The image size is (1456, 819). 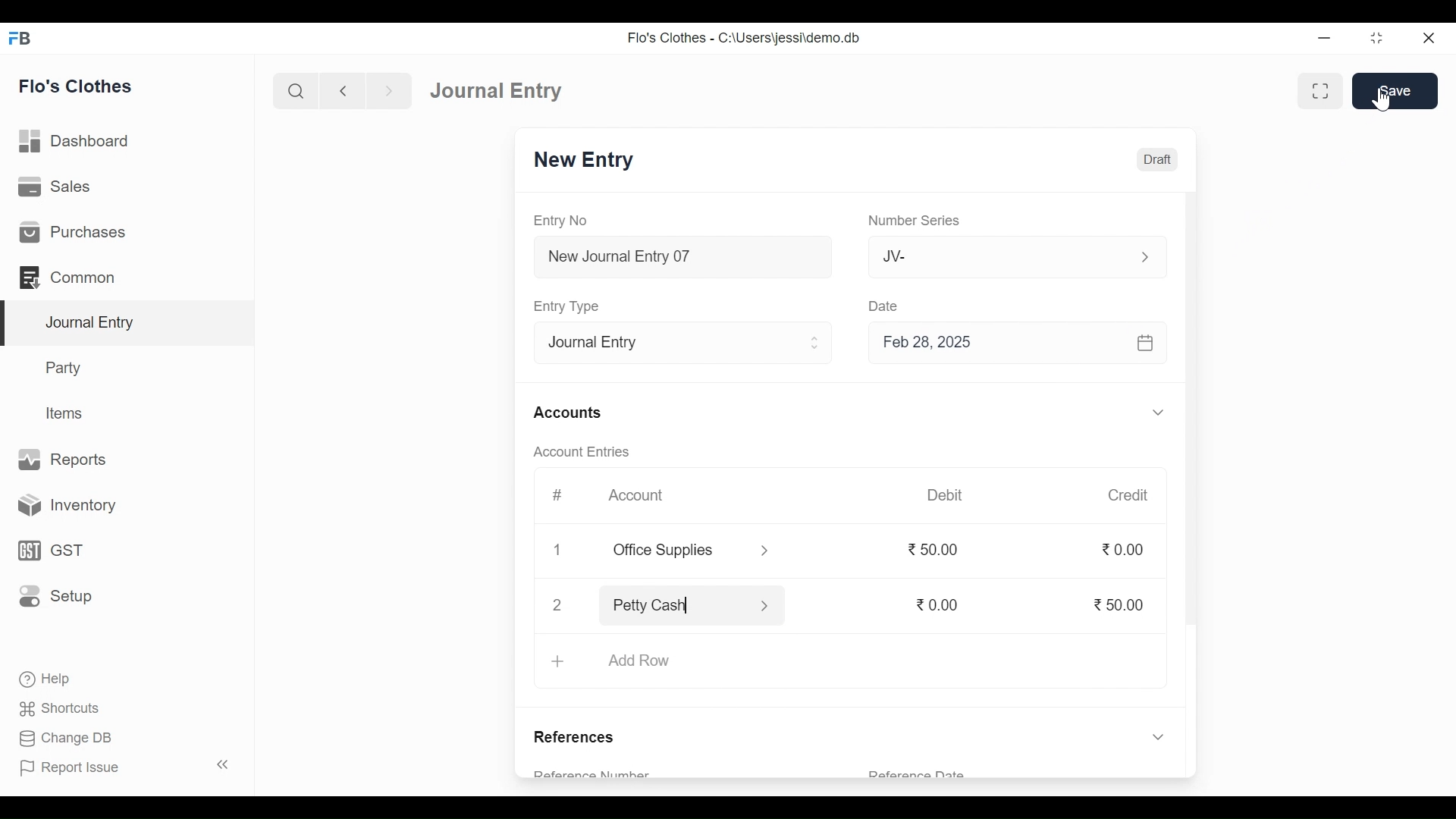 I want to click on New Entry, so click(x=588, y=160).